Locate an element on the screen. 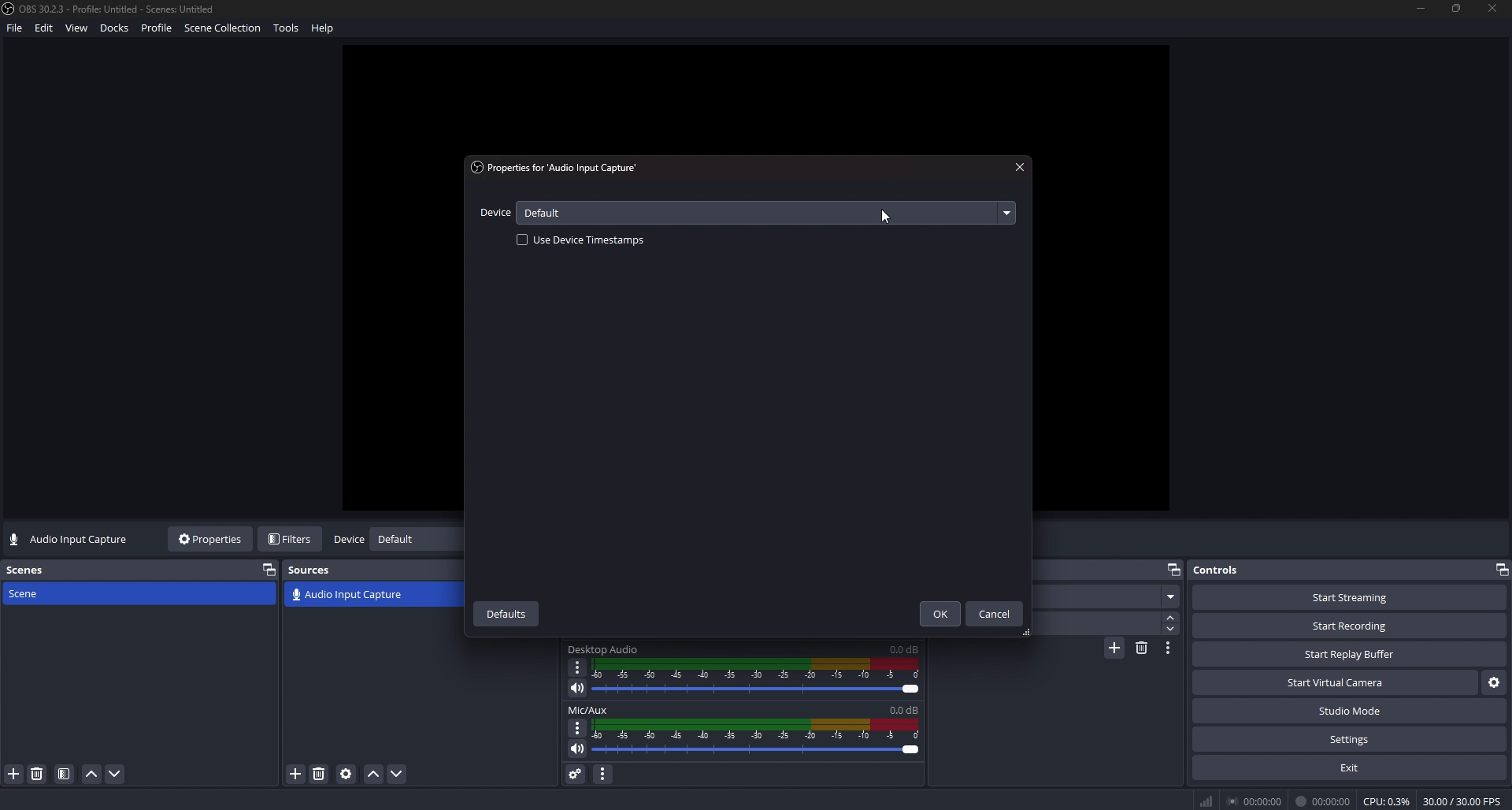  select device is located at coordinates (767, 212).